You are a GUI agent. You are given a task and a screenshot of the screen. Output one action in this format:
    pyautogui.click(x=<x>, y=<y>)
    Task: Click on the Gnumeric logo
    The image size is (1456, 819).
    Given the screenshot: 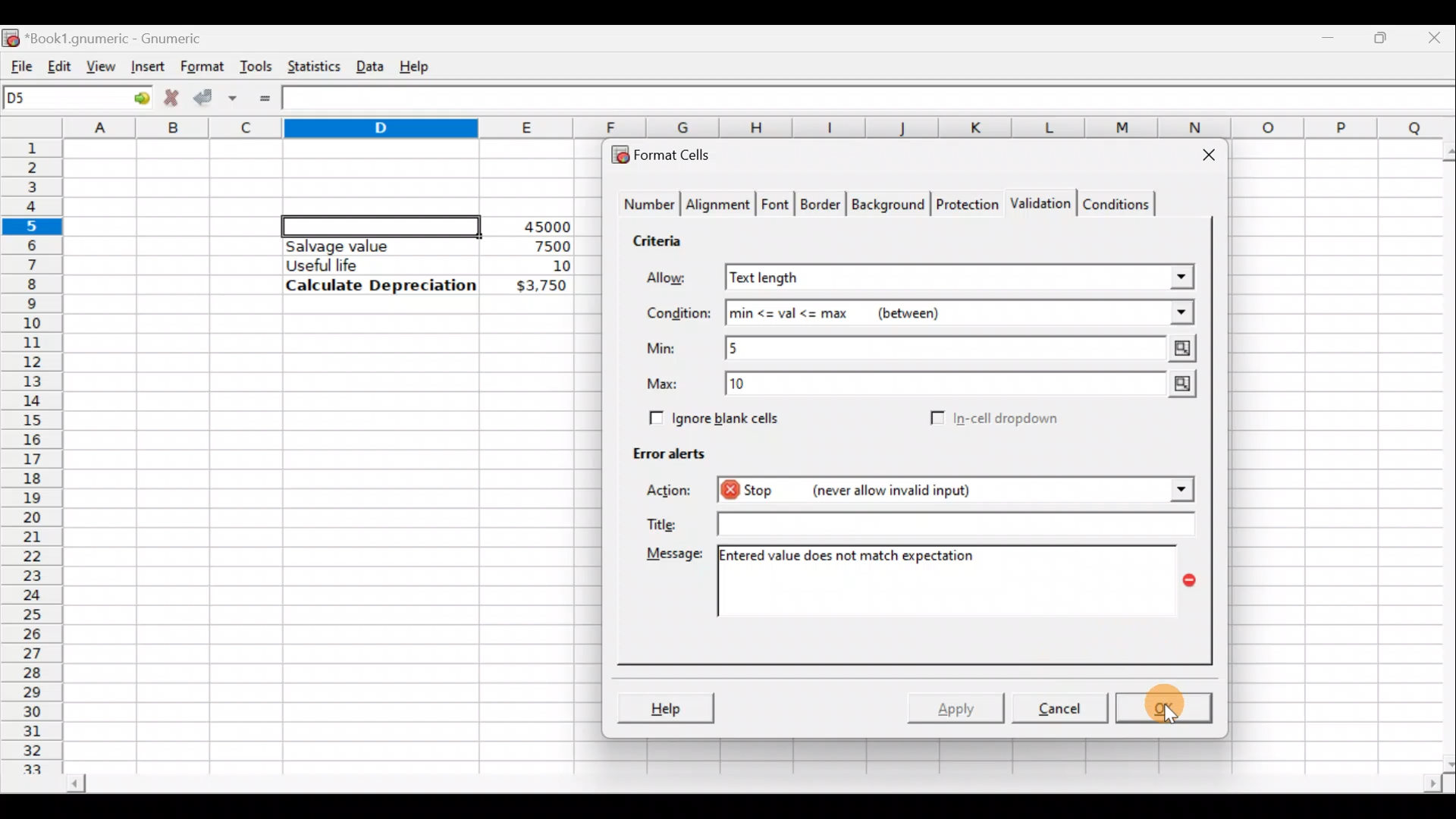 What is the action you would take?
    pyautogui.click(x=11, y=36)
    